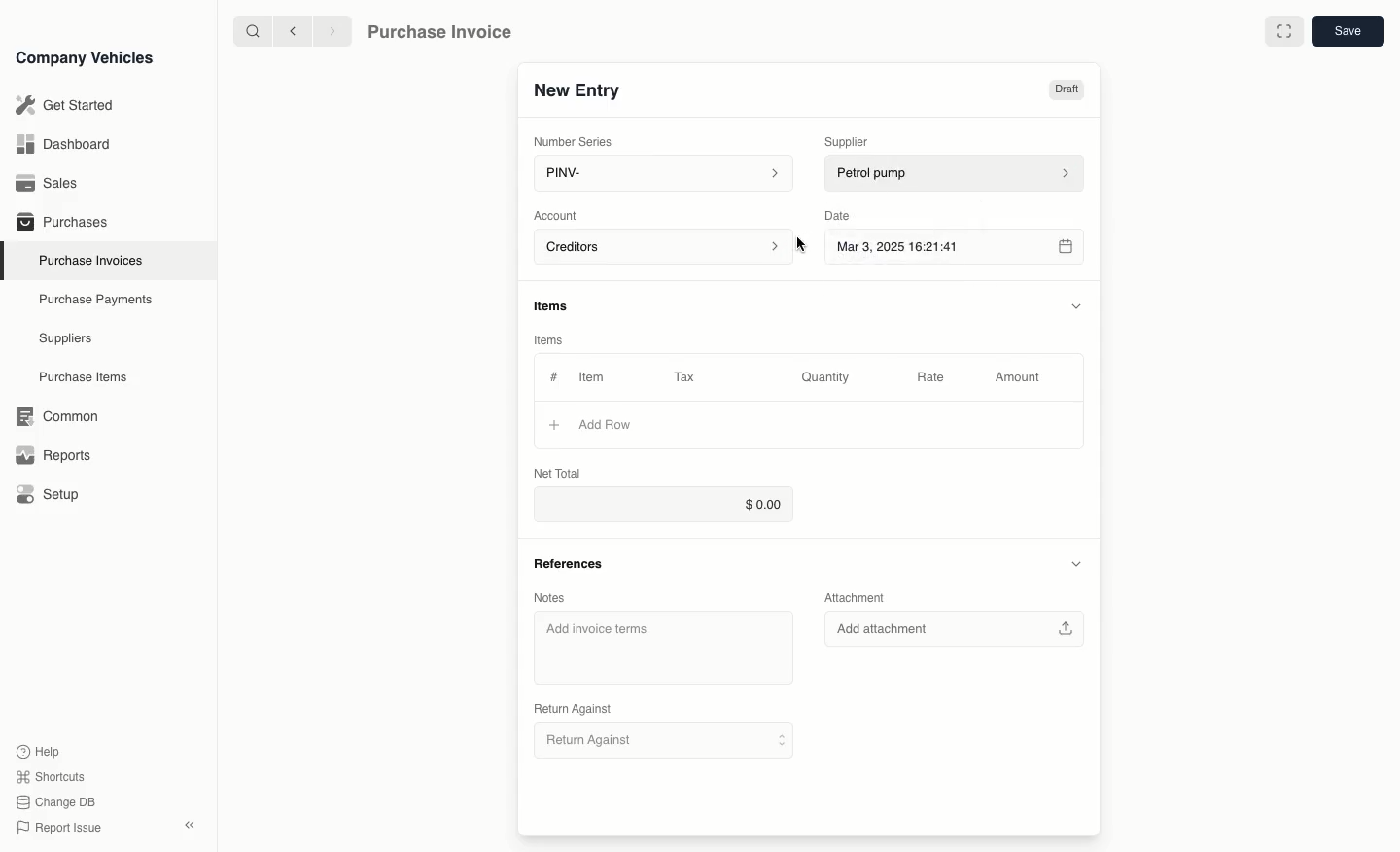  Describe the element at coordinates (76, 377) in the screenshot. I see `Purchase items` at that location.